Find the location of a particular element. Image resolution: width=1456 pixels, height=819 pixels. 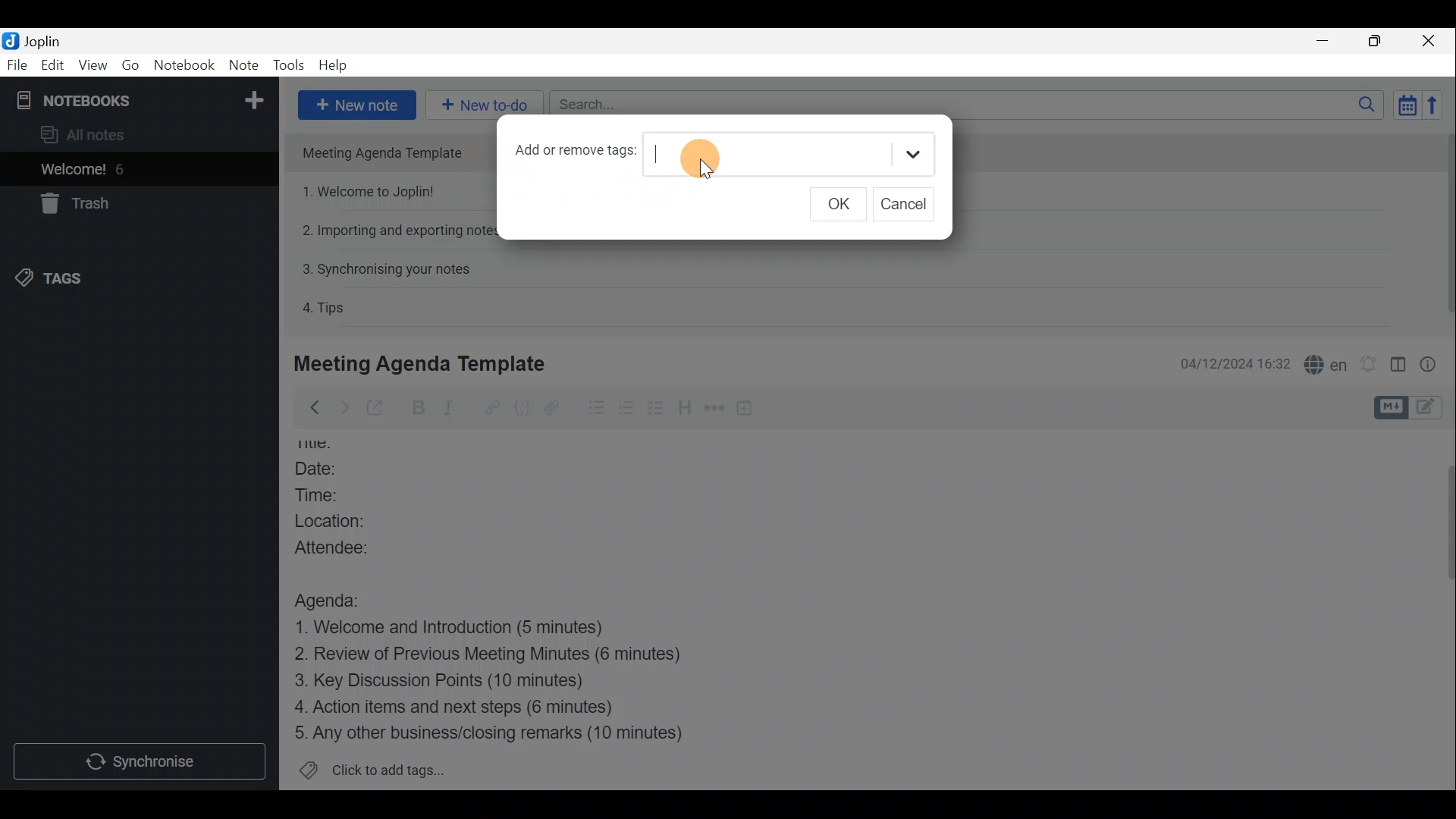

Notebook is located at coordinates (186, 64).